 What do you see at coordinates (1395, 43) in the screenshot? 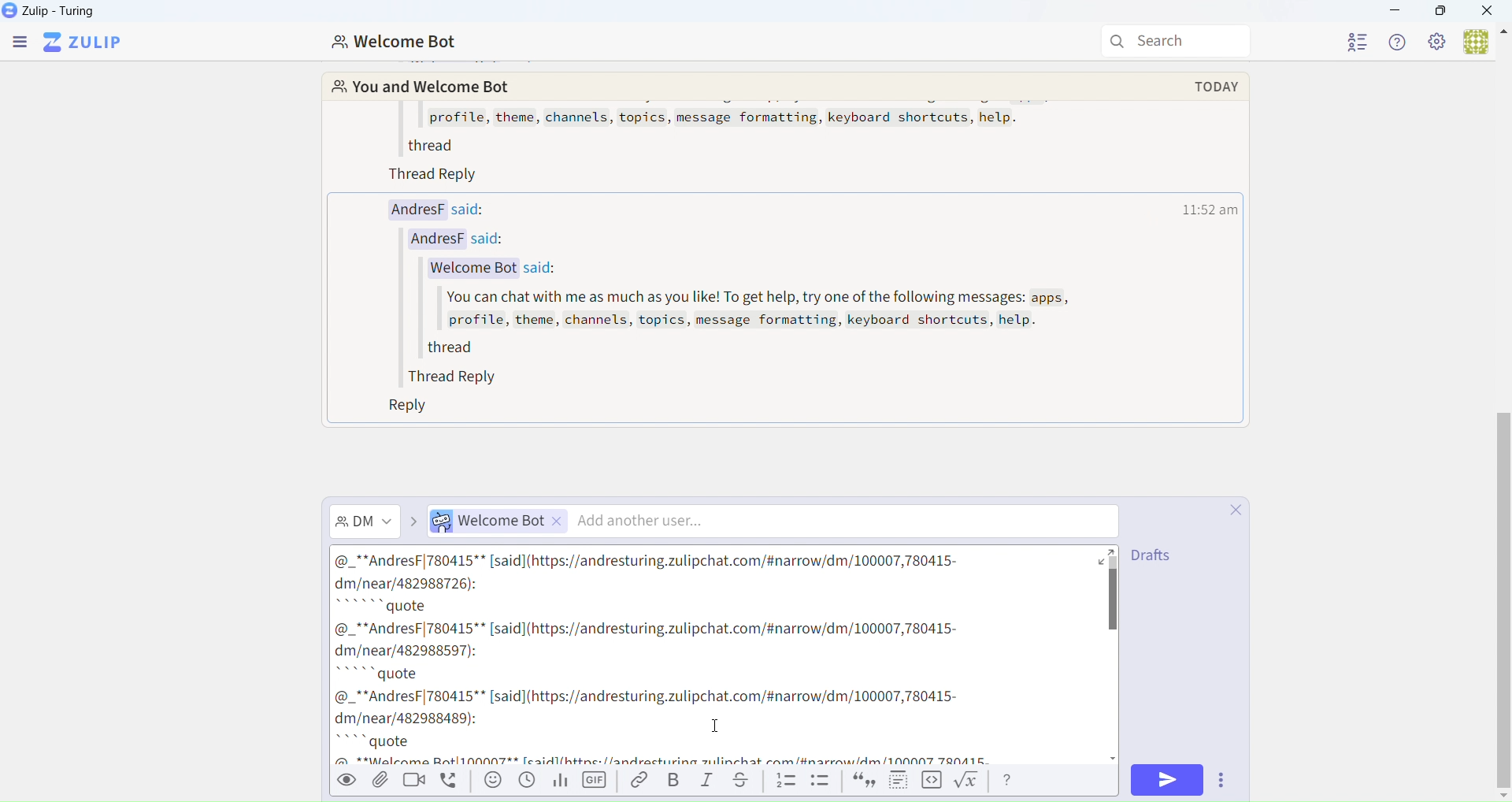
I see `Help` at bounding box center [1395, 43].